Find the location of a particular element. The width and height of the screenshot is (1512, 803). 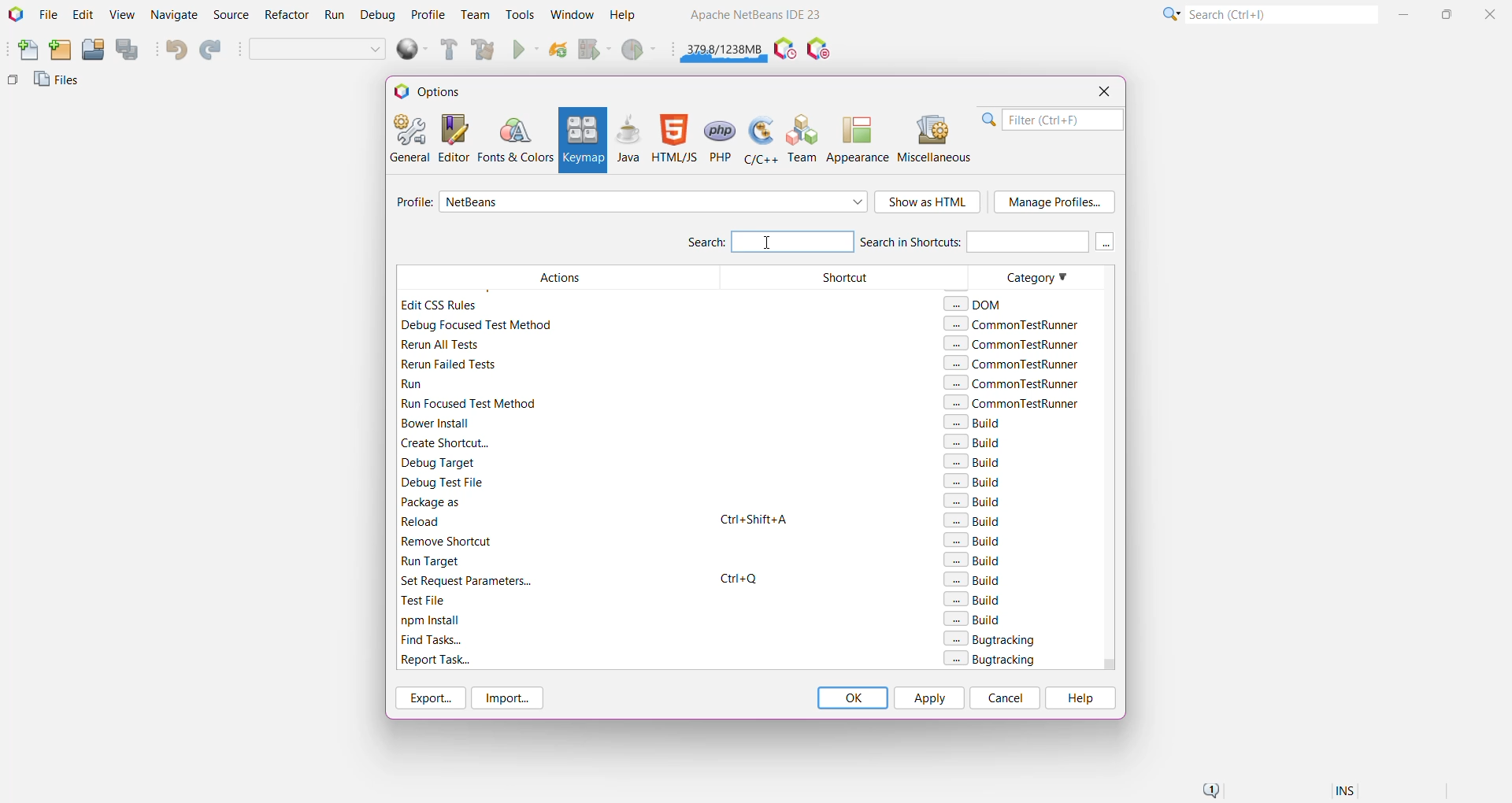

Source is located at coordinates (233, 15).